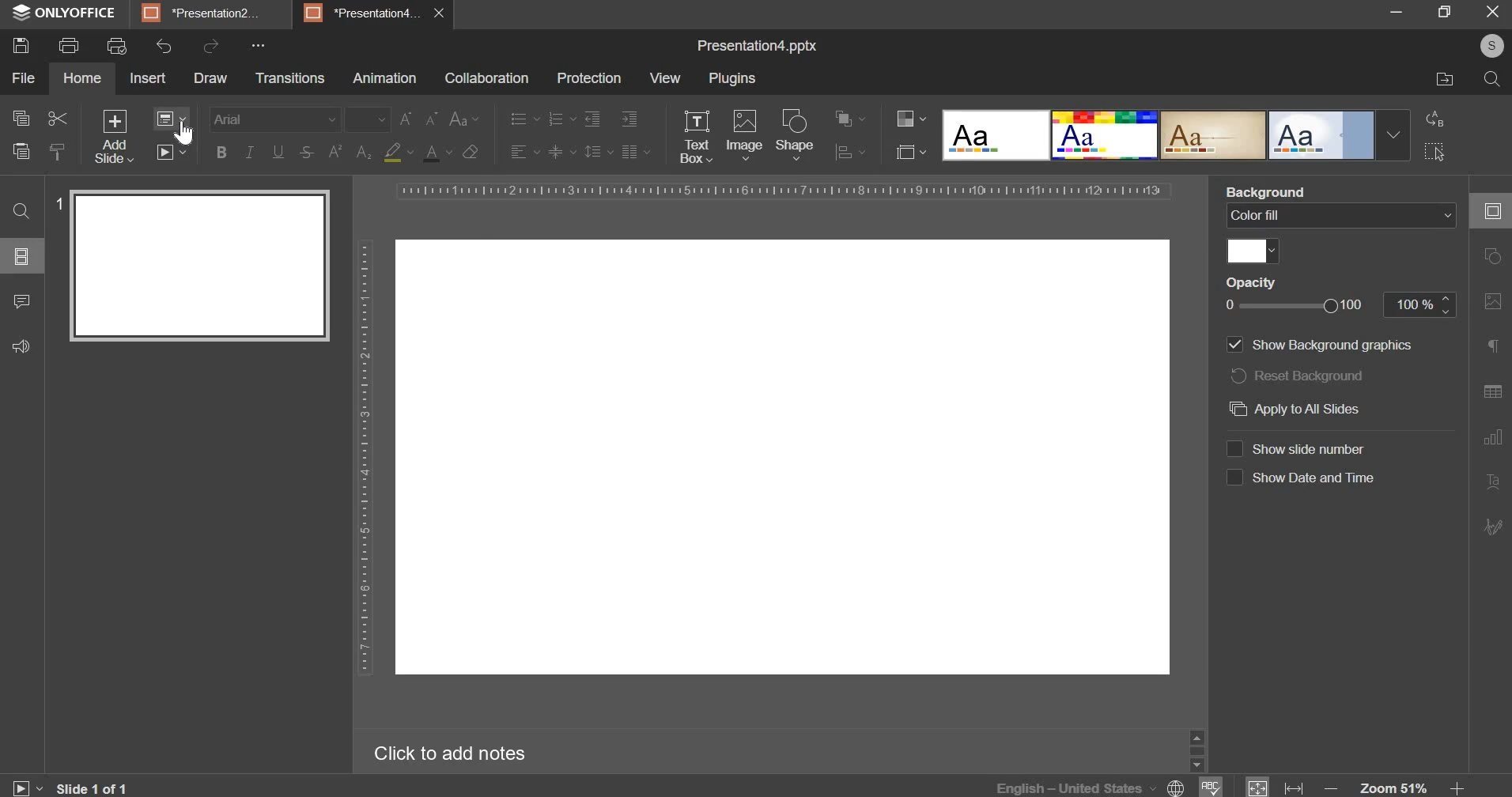 The width and height of the screenshot is (1512, 797). I want to click on design, so click(1323, 136).